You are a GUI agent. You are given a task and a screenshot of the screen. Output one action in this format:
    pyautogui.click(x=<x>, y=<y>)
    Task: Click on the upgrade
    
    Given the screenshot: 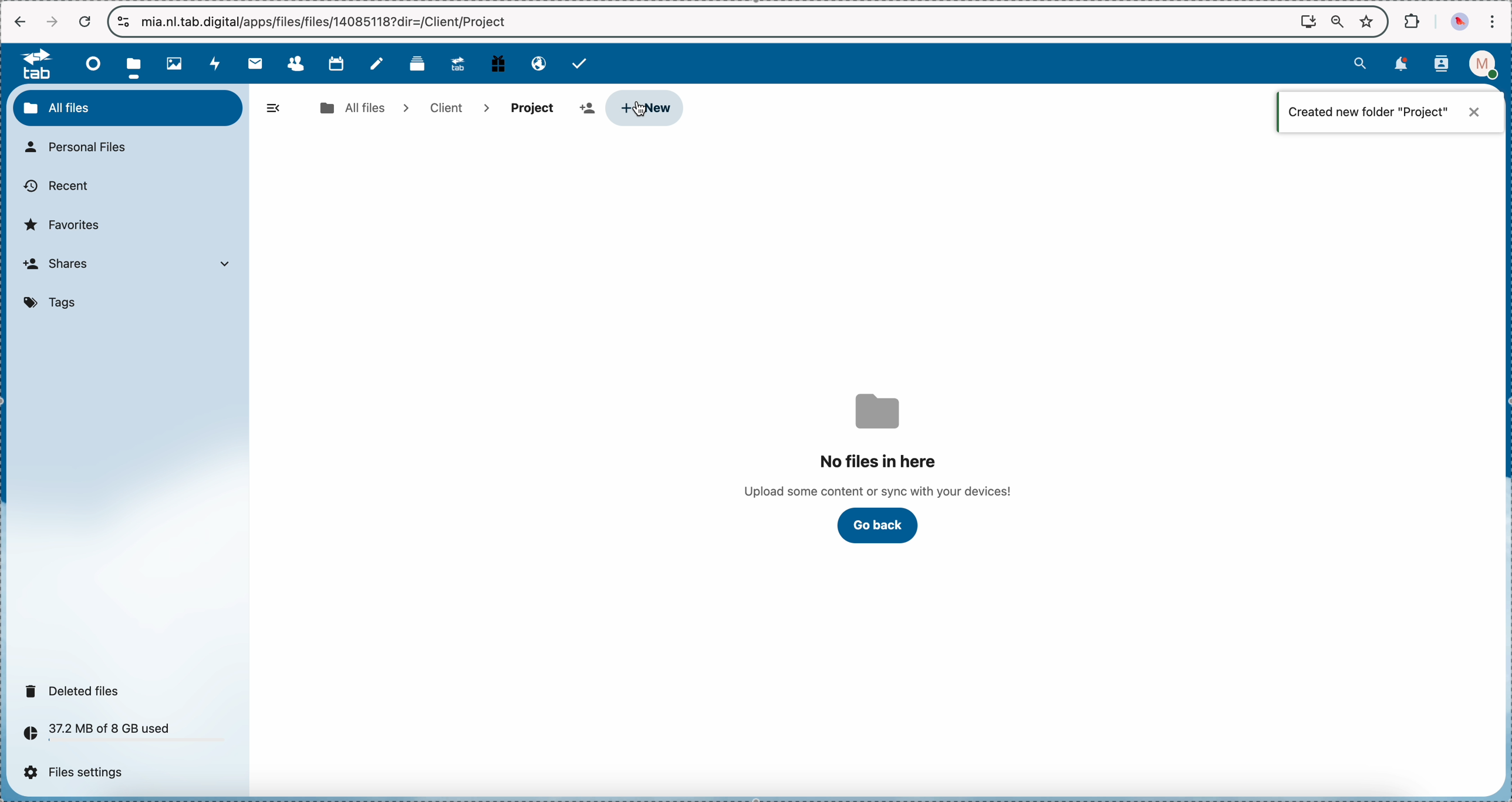 What is the action you would take?
    pyautogui.click(x=458, y=63)
    